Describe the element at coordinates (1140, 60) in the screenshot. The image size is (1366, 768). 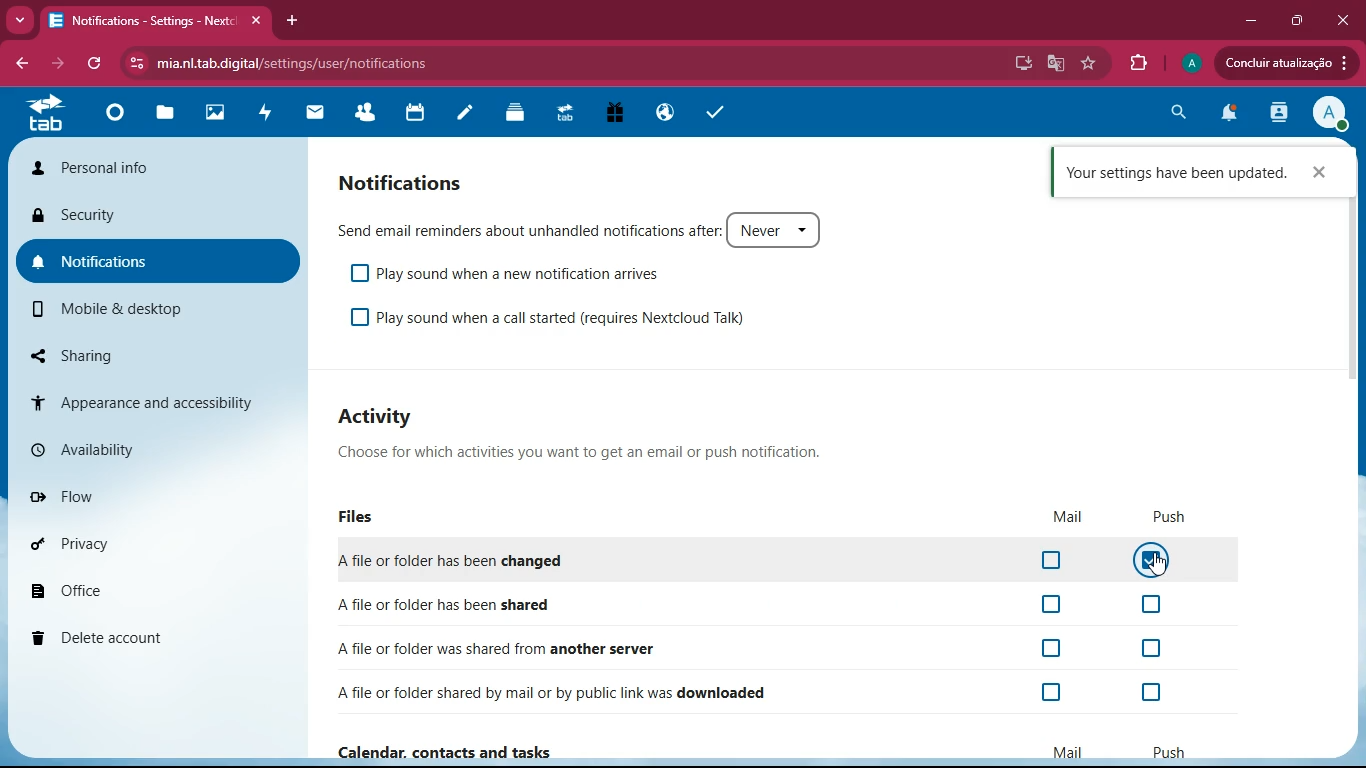
I see `extensions` at that location.